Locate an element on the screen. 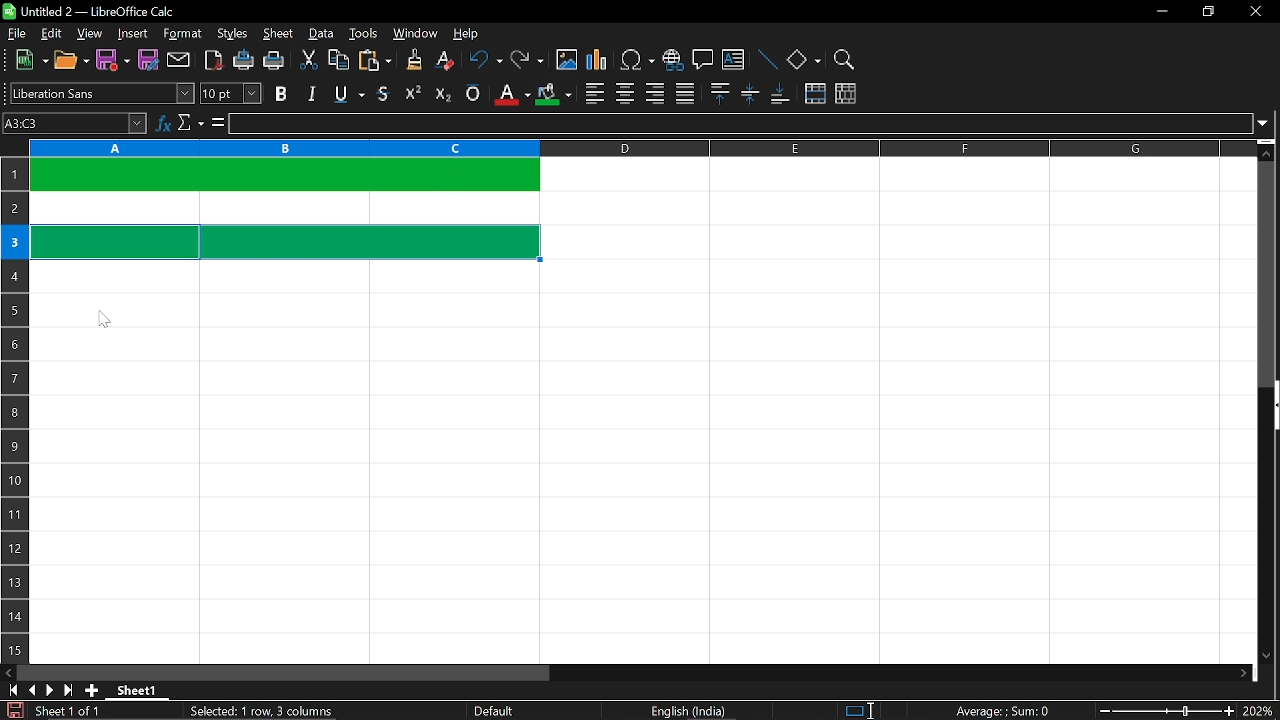 Image resolution: width=1280 pixels, height=720 pixels. standard selection is located at coordinates (860, 711).